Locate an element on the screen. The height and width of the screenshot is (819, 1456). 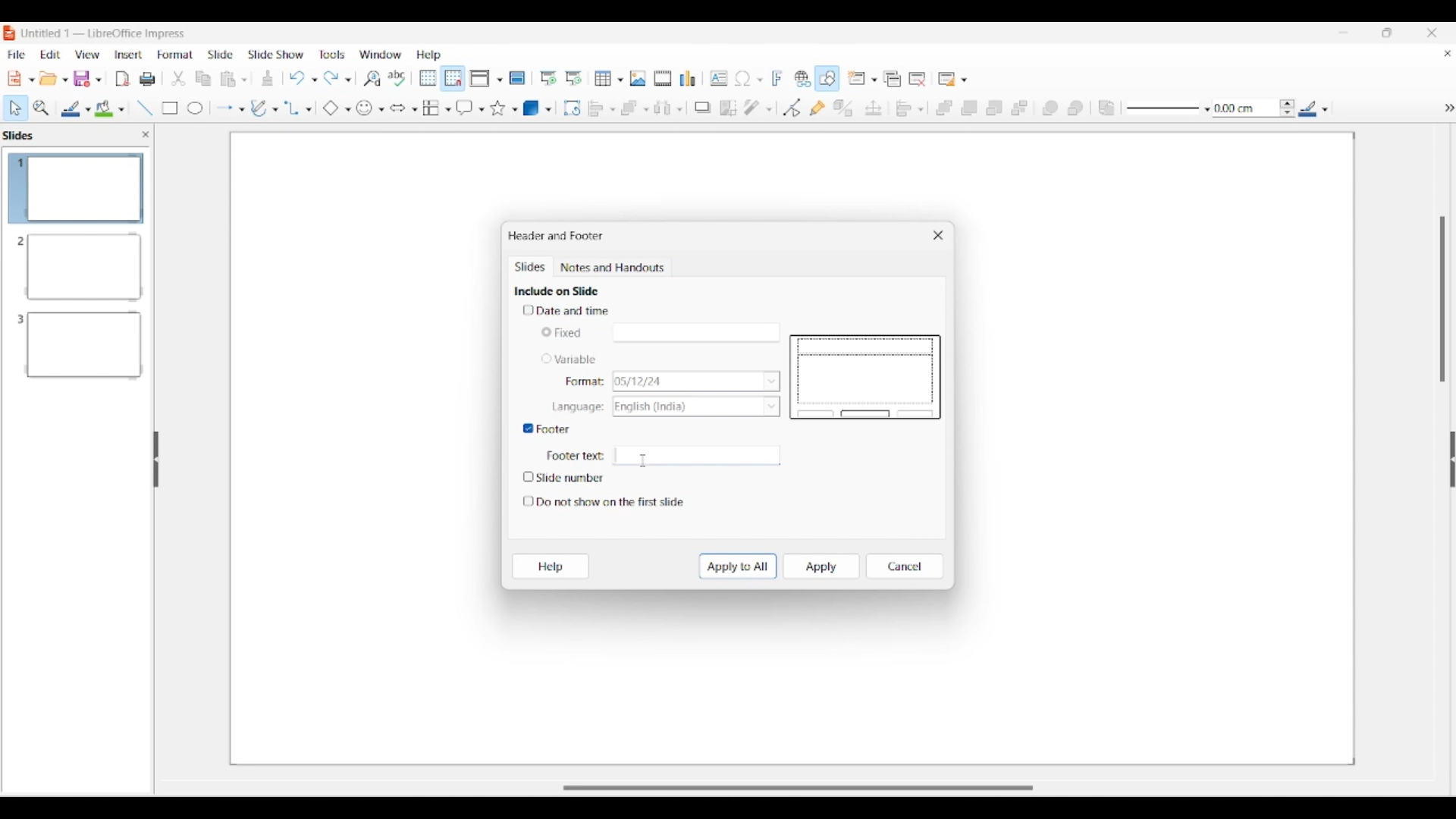
Callout shape options is located at coordinates (470, 108).